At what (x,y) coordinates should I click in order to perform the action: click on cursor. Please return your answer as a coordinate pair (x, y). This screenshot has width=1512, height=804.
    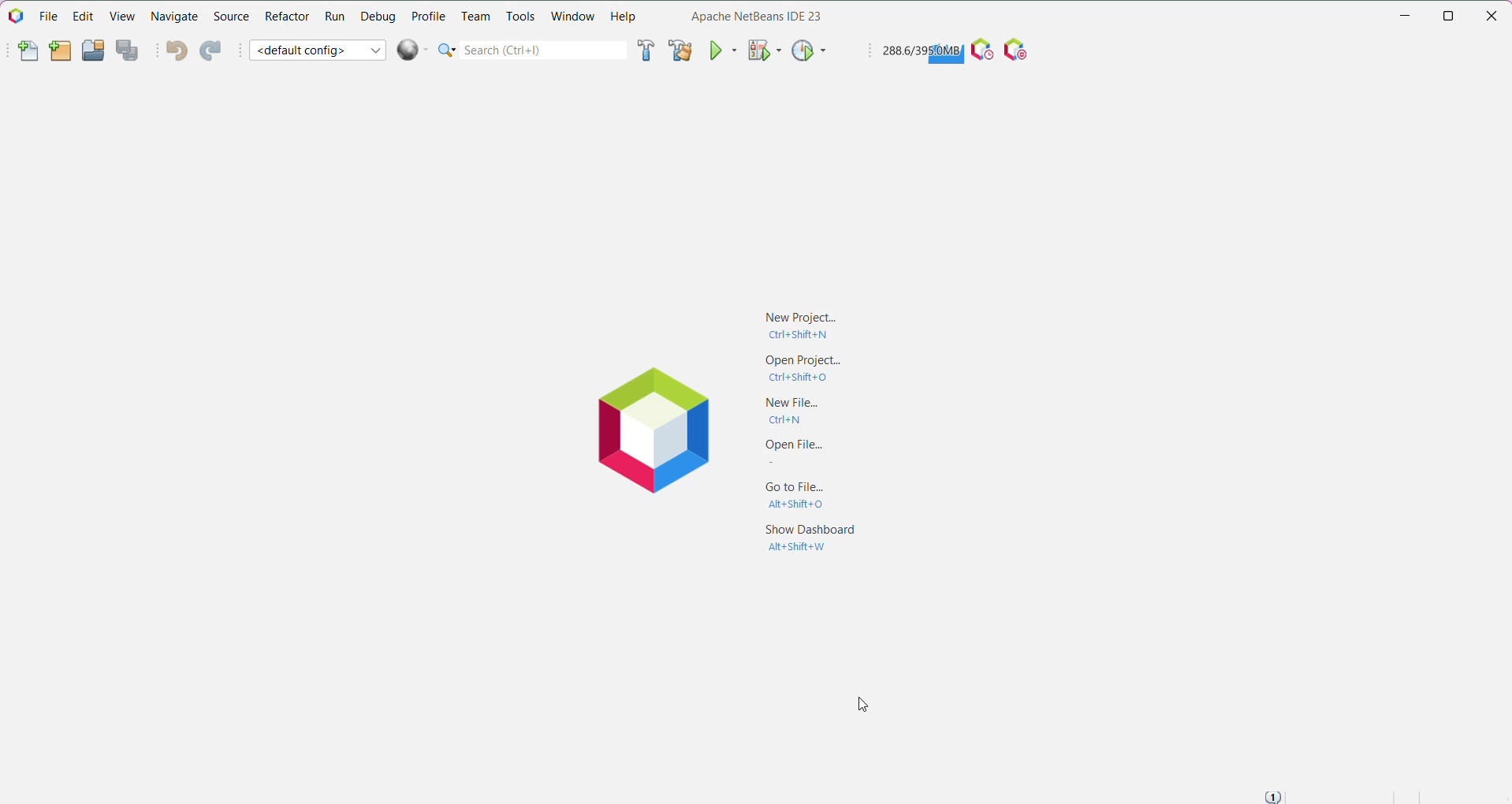
    Looking at the image, I should click on (860, 703).